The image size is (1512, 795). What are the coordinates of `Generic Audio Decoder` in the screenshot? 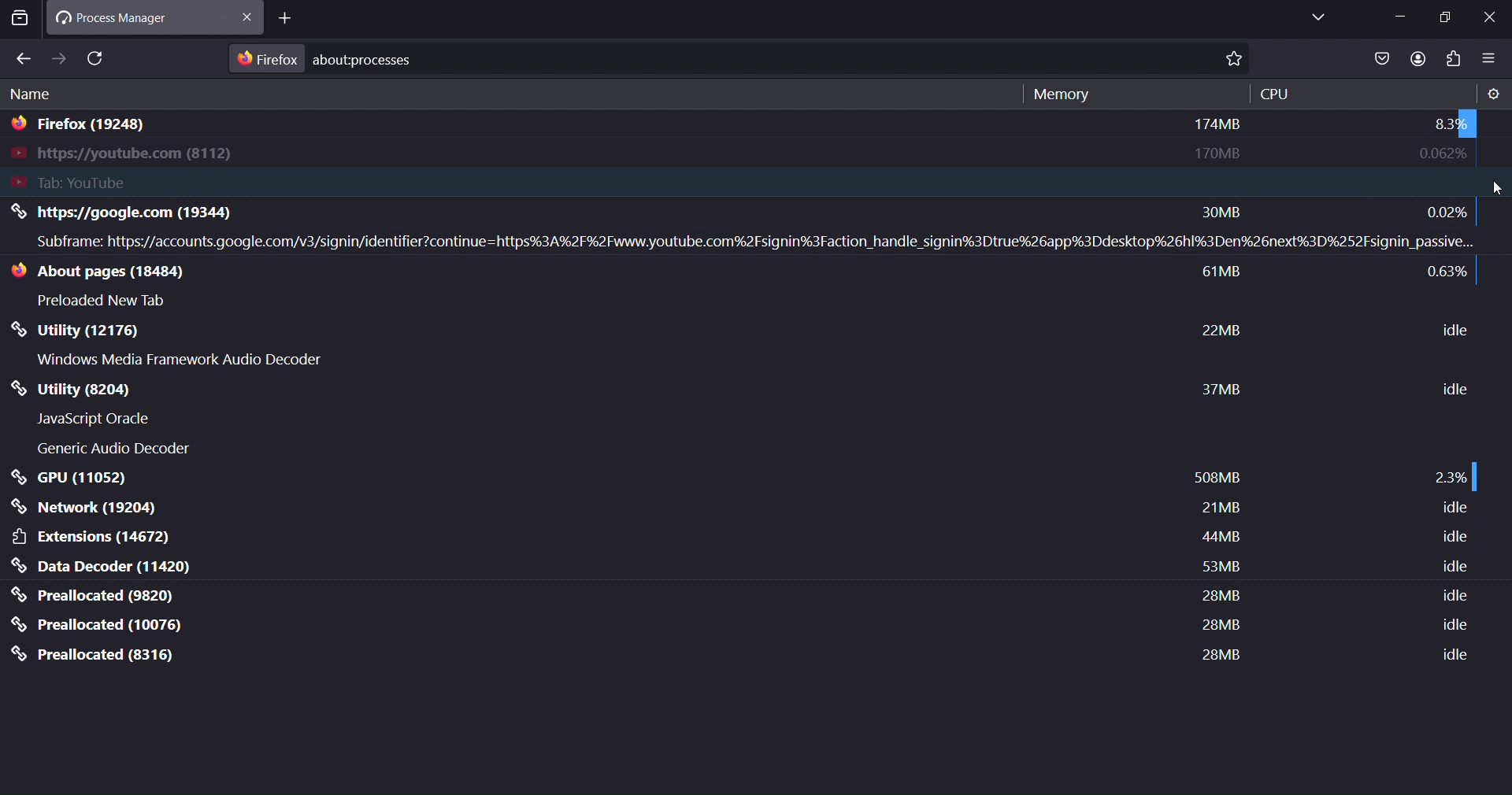 It's located at (113, 449).